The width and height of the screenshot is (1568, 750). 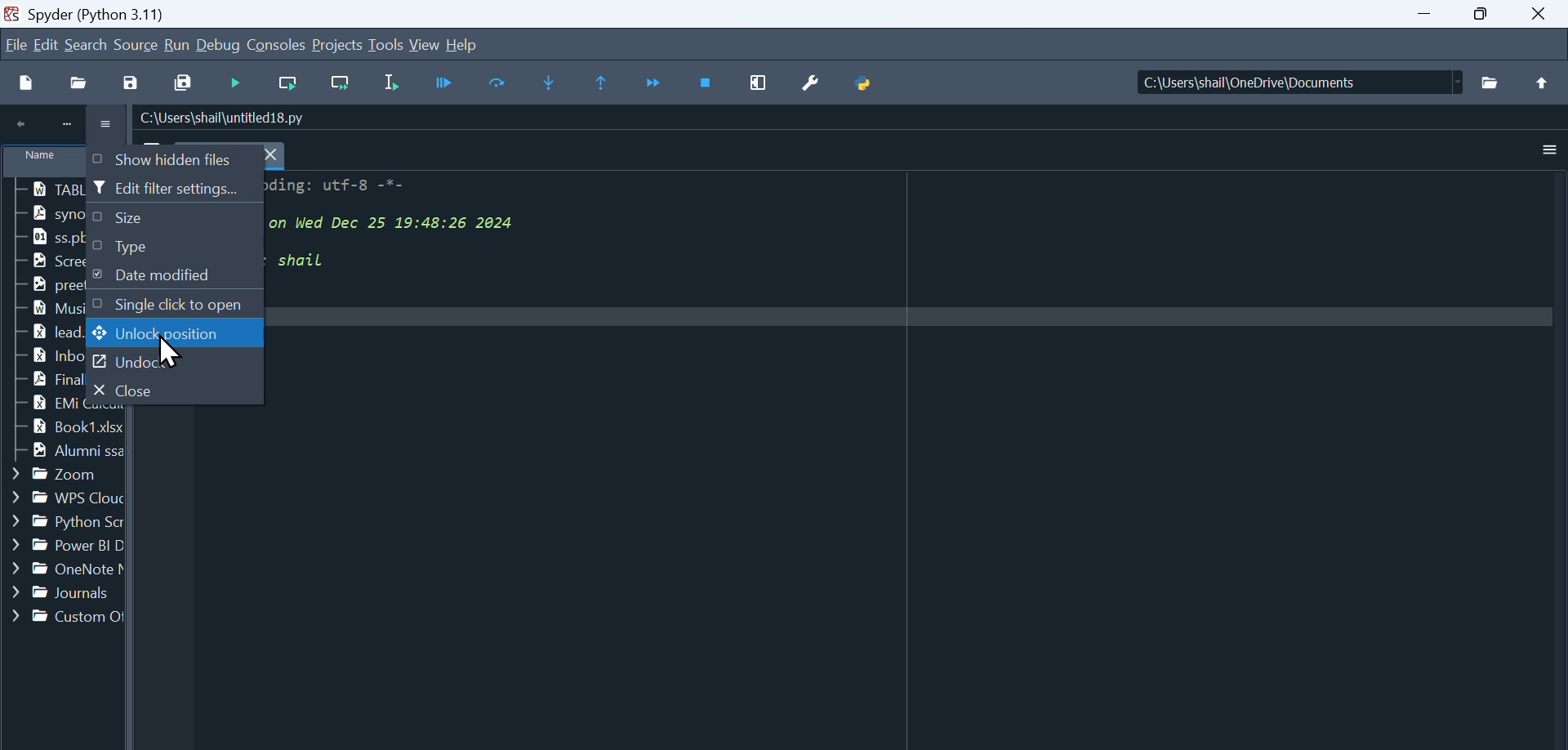 What do you see at coordinates (108, 125) in the screenshot?
I see `more options` at bounding box center [108, 125].